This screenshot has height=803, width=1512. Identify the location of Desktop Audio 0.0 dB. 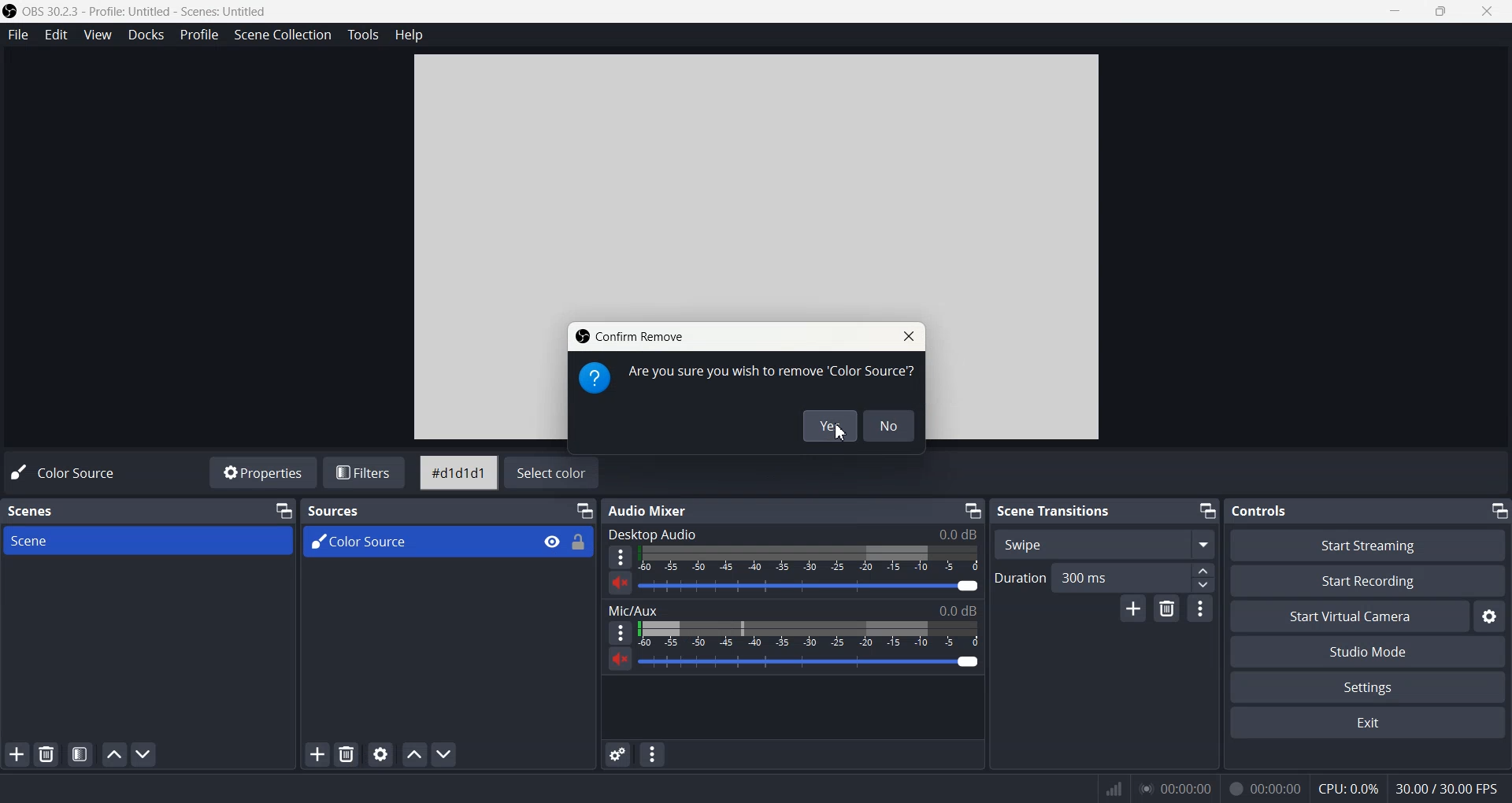
(791, 534).